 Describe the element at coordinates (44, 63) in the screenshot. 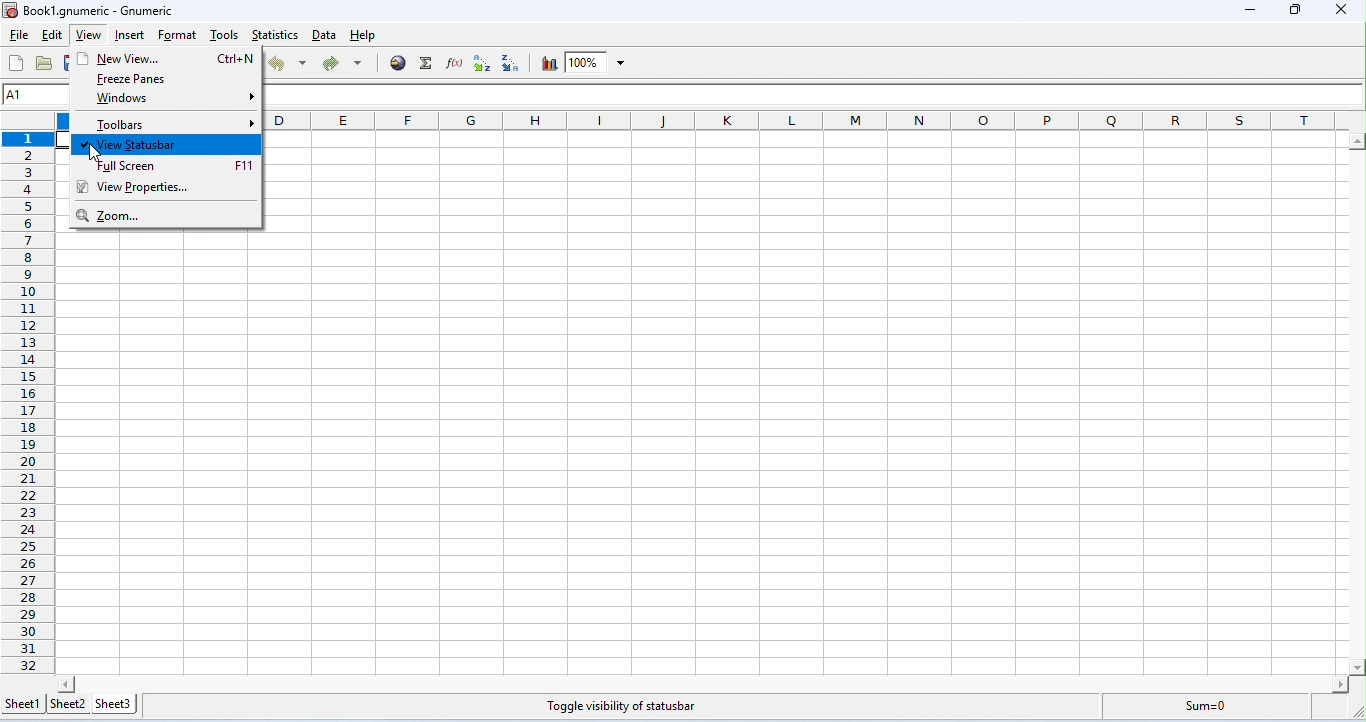

I see `open` at that location.